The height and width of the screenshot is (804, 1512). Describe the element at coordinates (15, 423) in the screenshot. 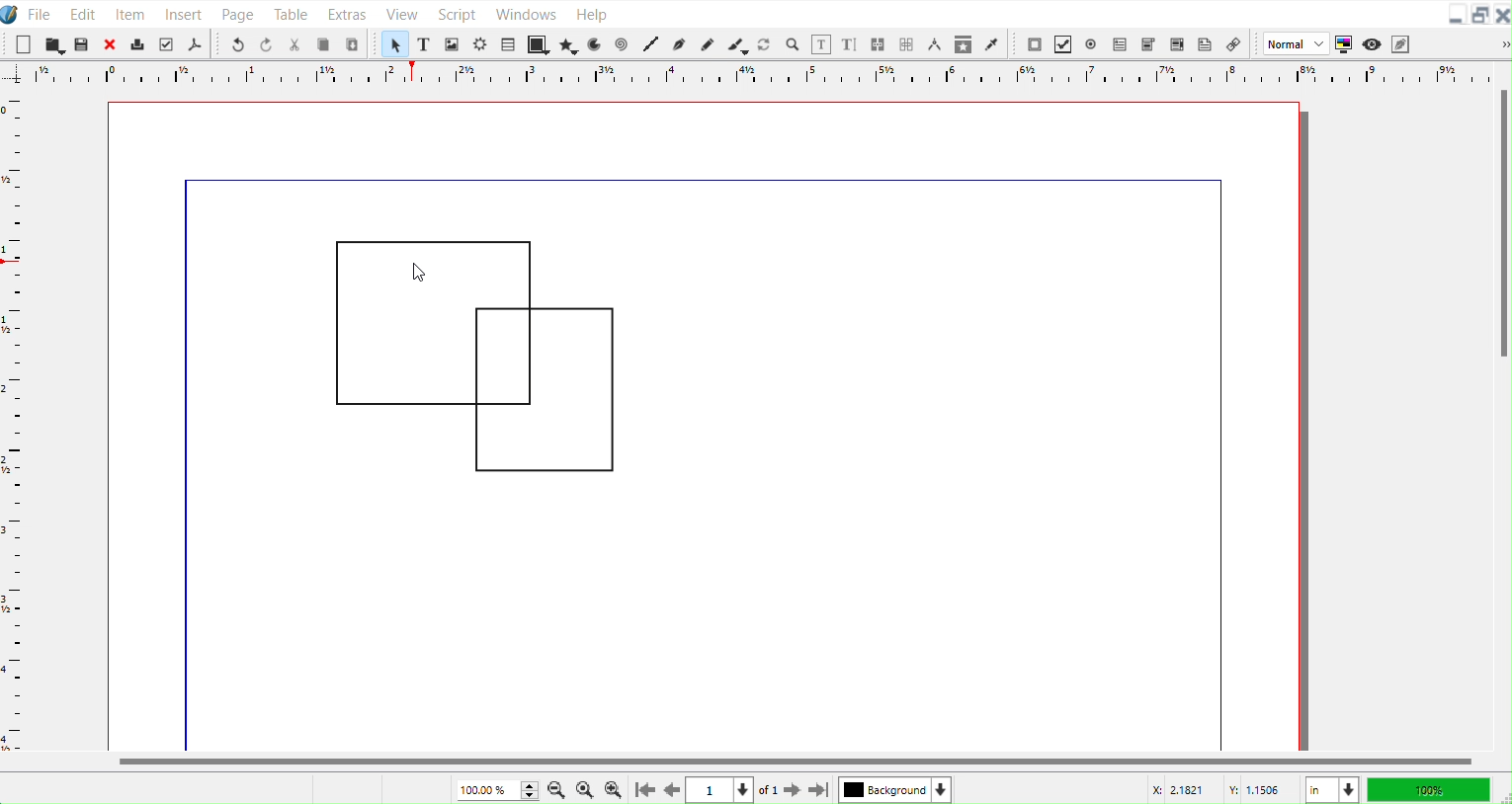

I see `Horizontal Scale bar` at that location.